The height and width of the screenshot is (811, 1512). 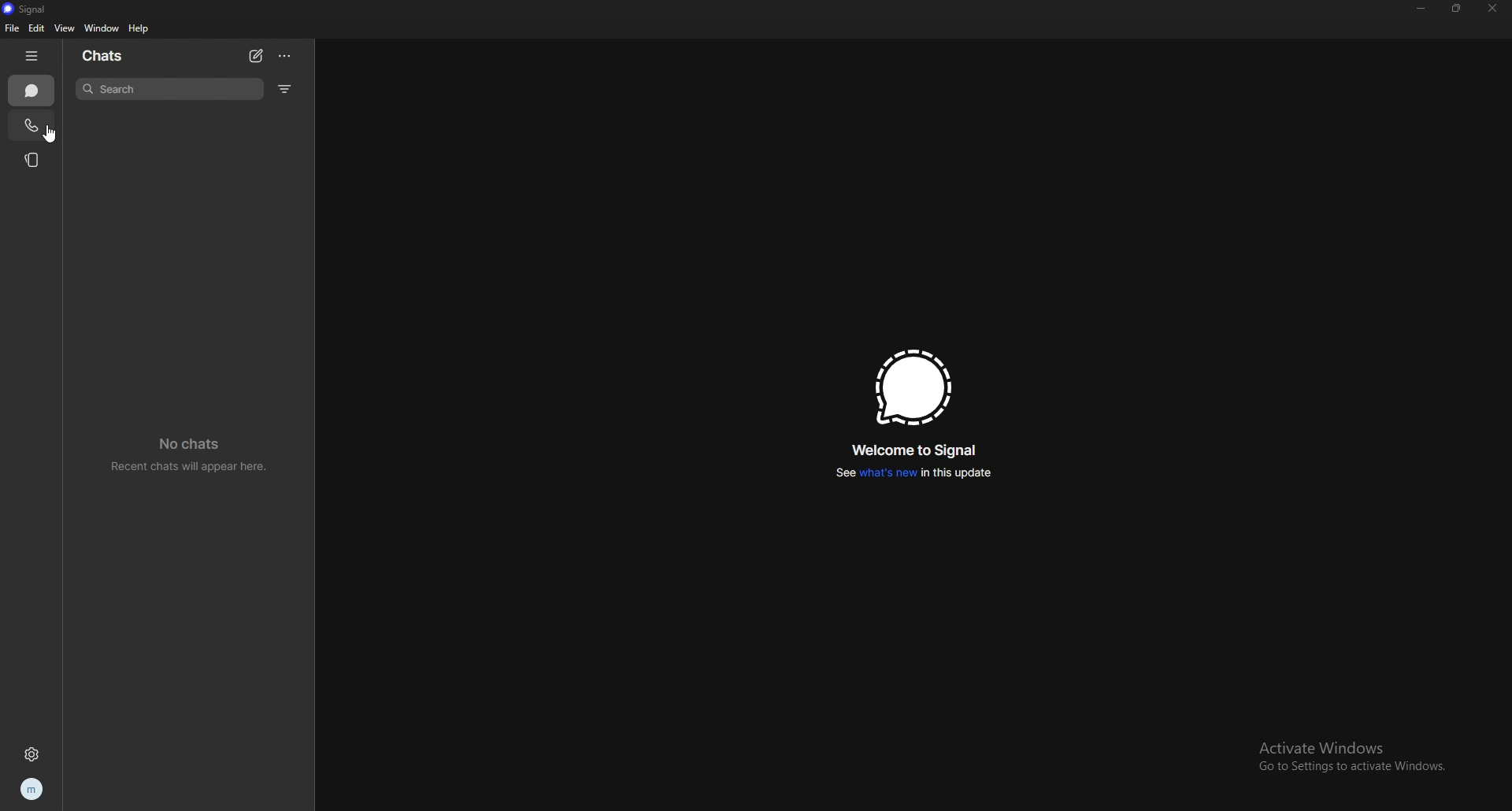 What do you see at coordinates (287, 55) in the screenshot?
I see `options` at bounding box center [287, 55].